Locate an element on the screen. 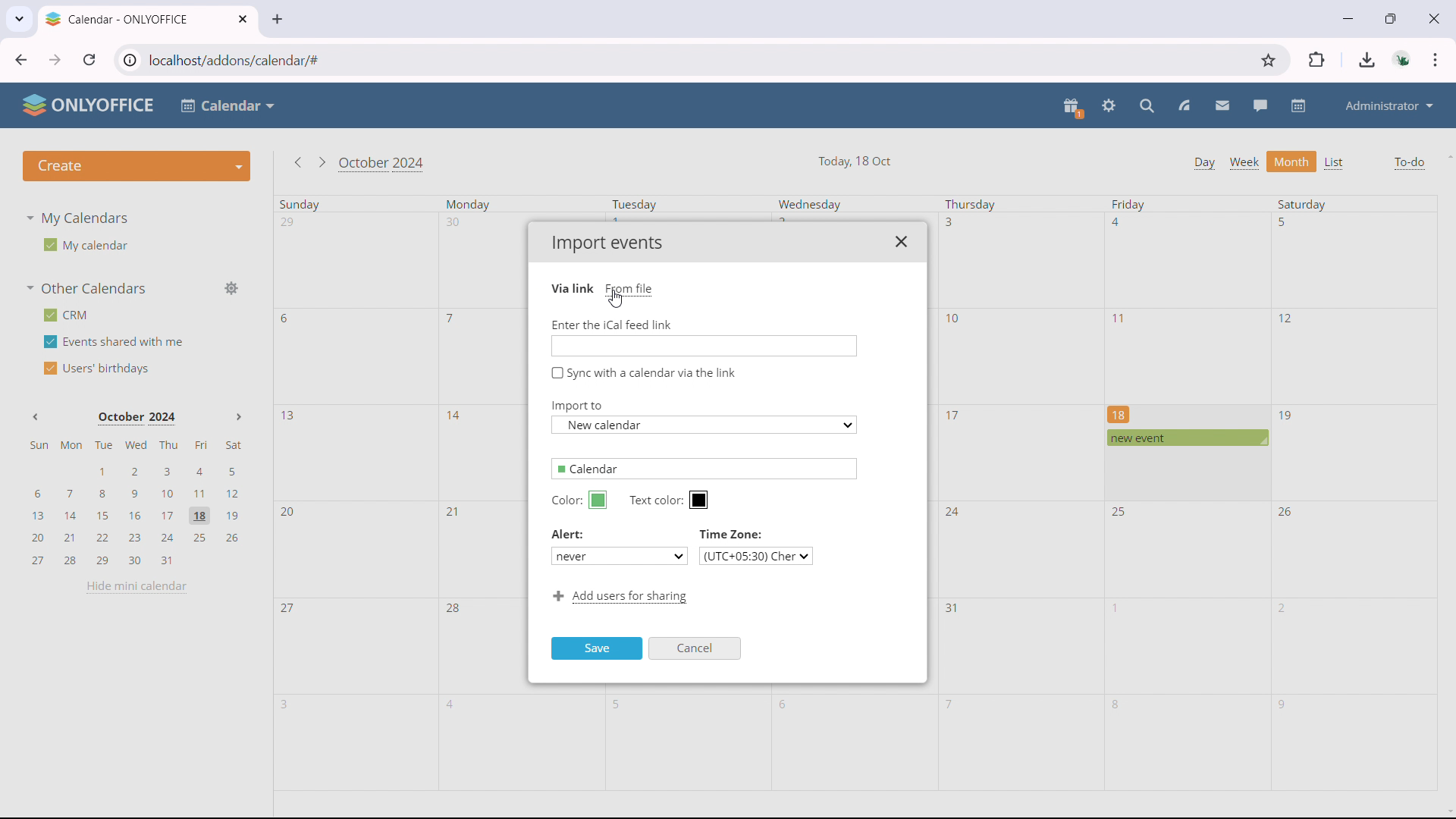 Image resolution: width=1456 pixels, height=819 pixels. 6 is located at coordinates (286, 318).